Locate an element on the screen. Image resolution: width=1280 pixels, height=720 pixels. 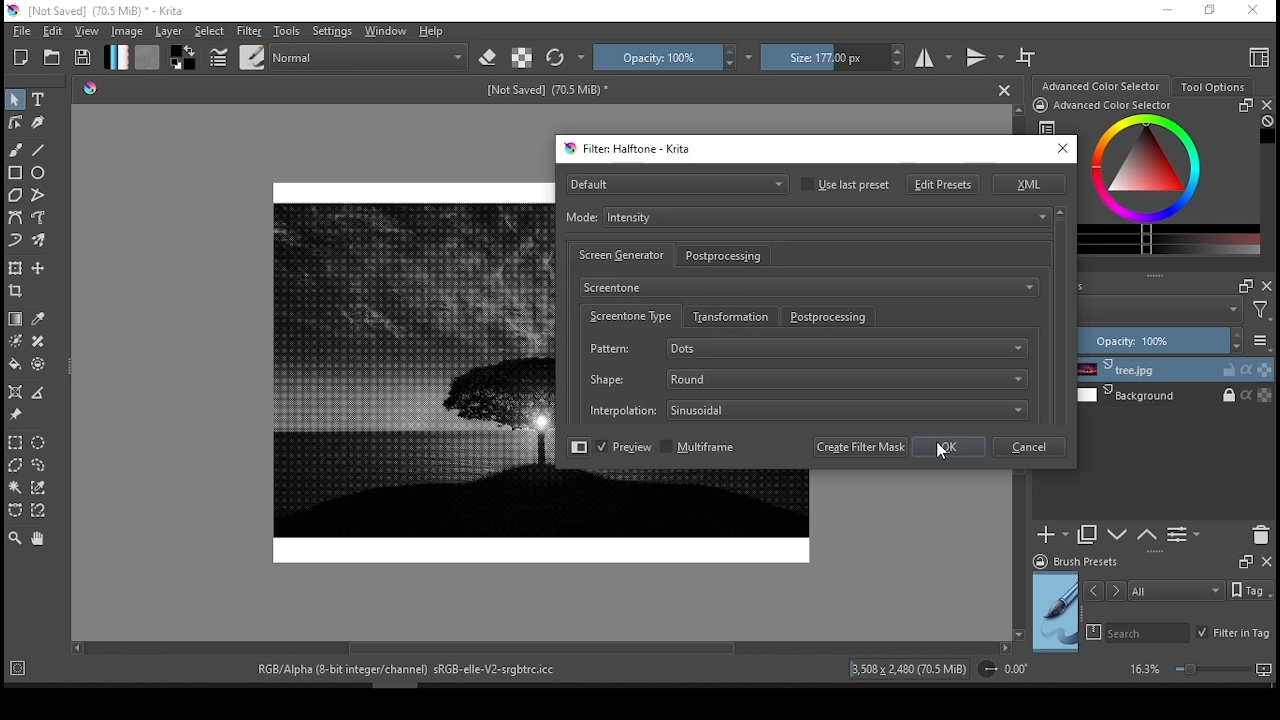
horizontal mirror mode is located at coordinates (933, 56).